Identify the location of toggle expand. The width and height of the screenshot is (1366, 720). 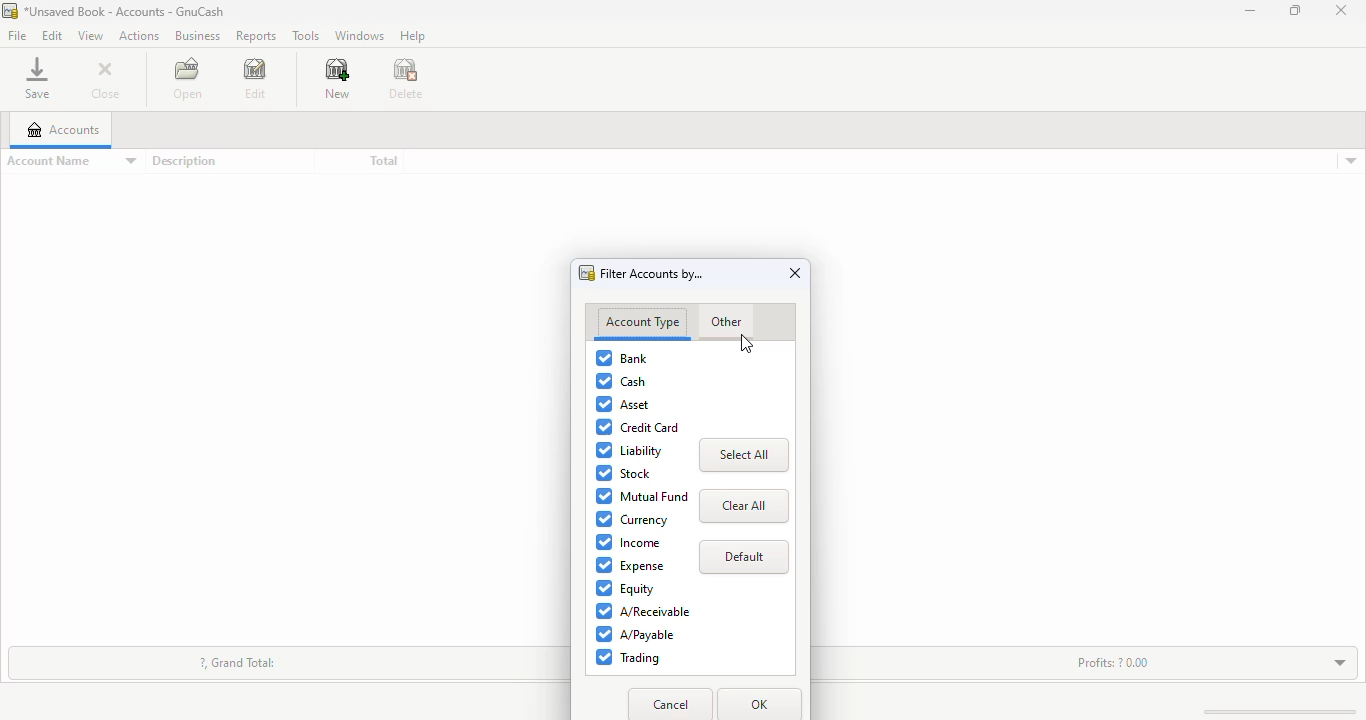
(1327, 661).